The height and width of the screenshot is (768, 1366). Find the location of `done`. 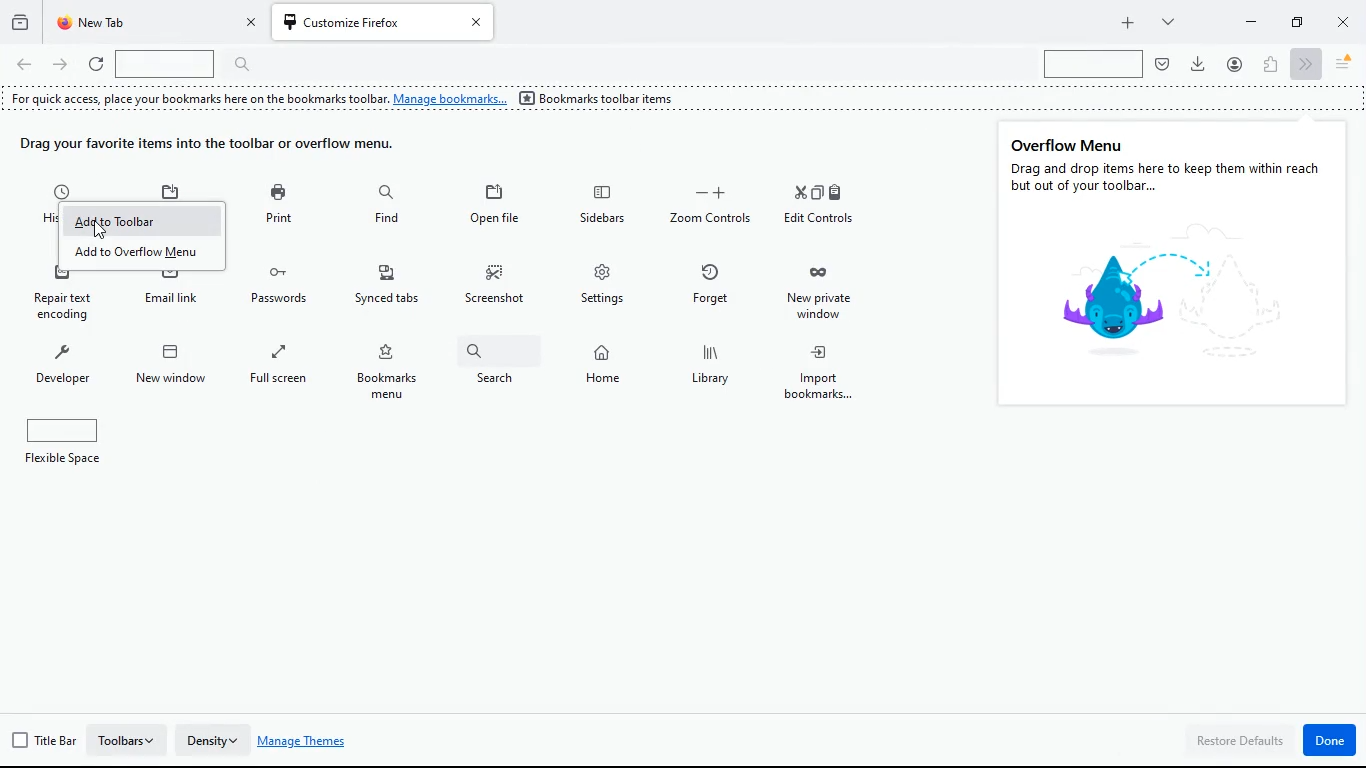

done is located at coordinates (1331, 740).